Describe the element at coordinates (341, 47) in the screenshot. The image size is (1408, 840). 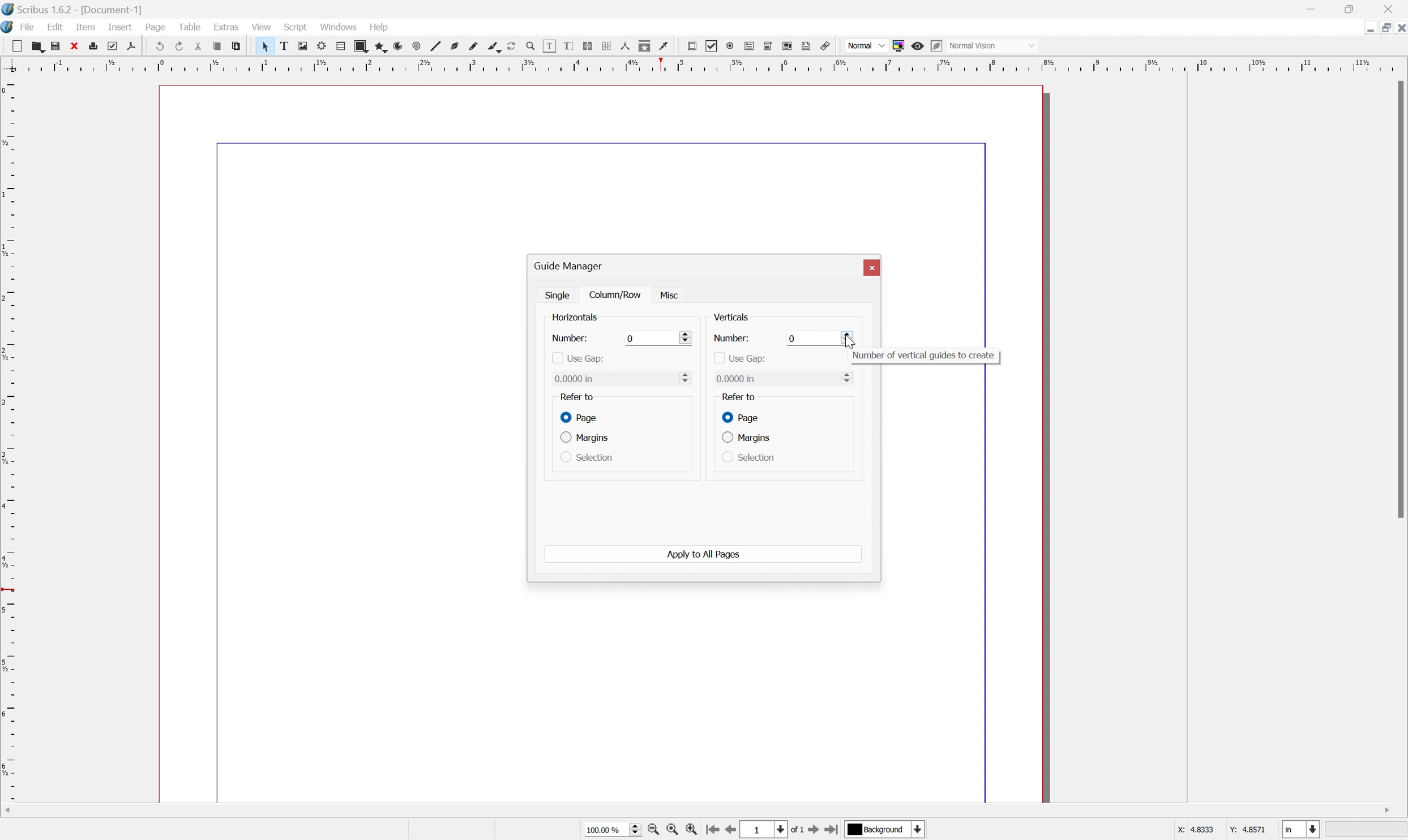
I see `table` at that location.